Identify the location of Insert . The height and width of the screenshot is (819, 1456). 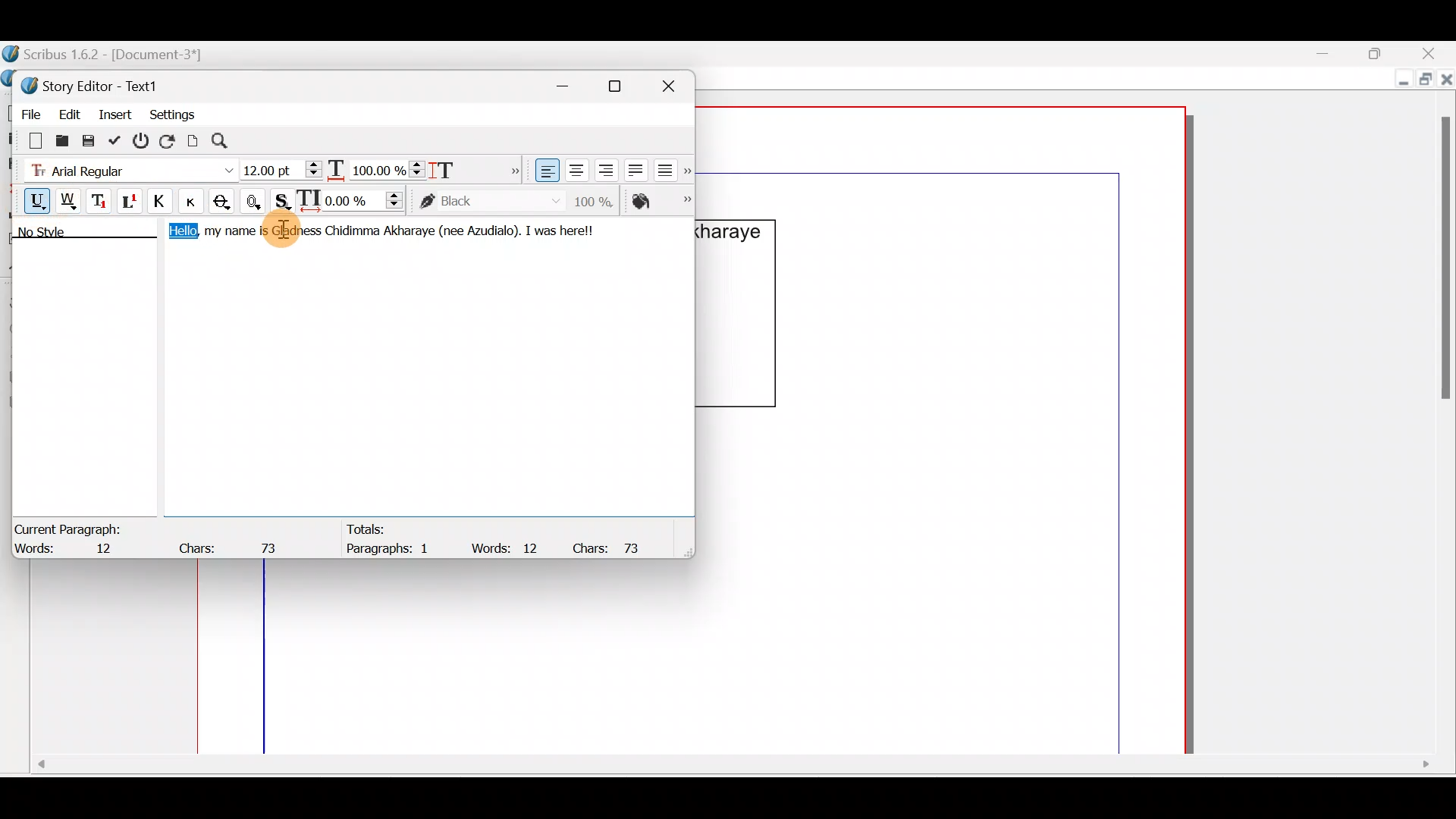
(116, 113).